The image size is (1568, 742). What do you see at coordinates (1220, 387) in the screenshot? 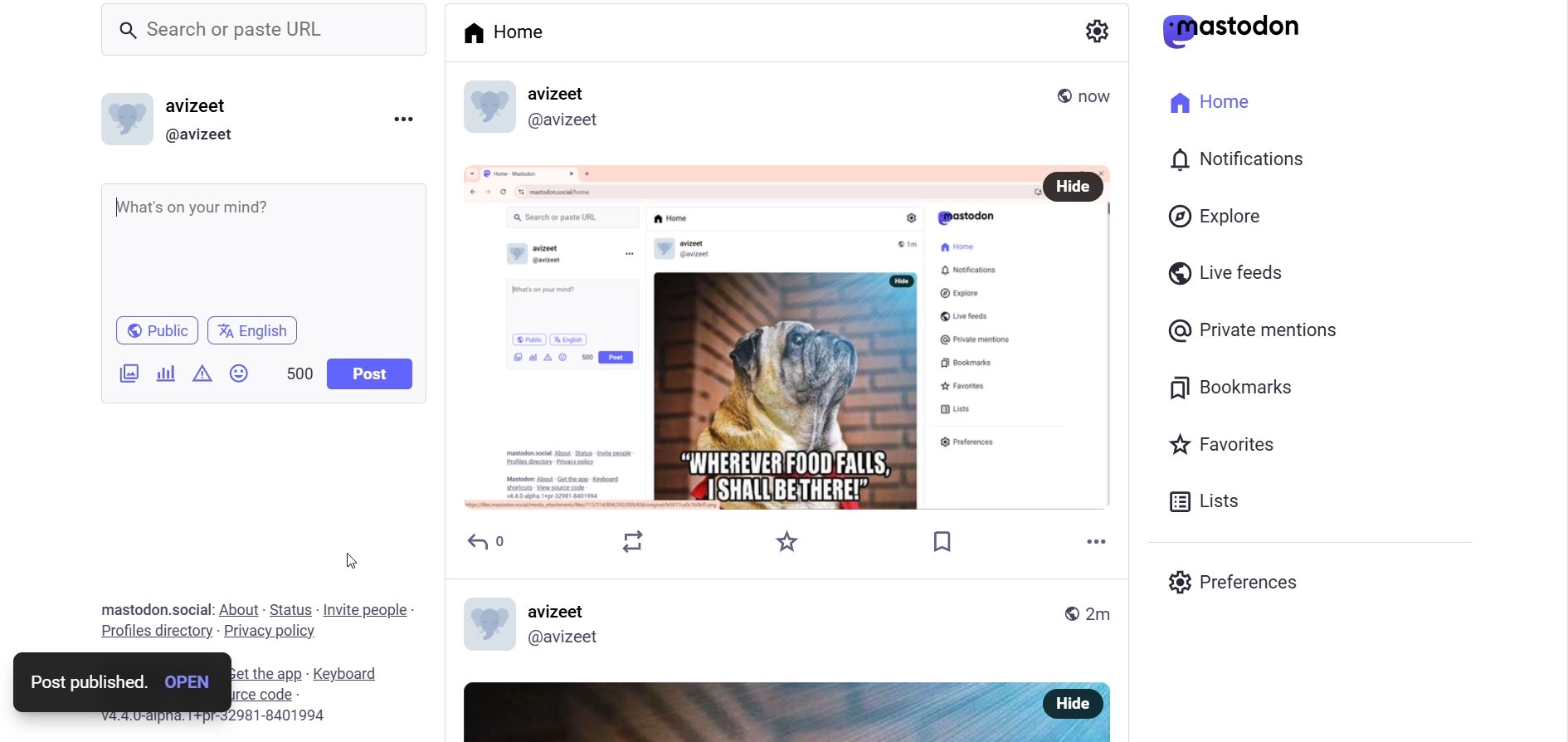
I see `bookmark` at bounding box center [1220, 387].